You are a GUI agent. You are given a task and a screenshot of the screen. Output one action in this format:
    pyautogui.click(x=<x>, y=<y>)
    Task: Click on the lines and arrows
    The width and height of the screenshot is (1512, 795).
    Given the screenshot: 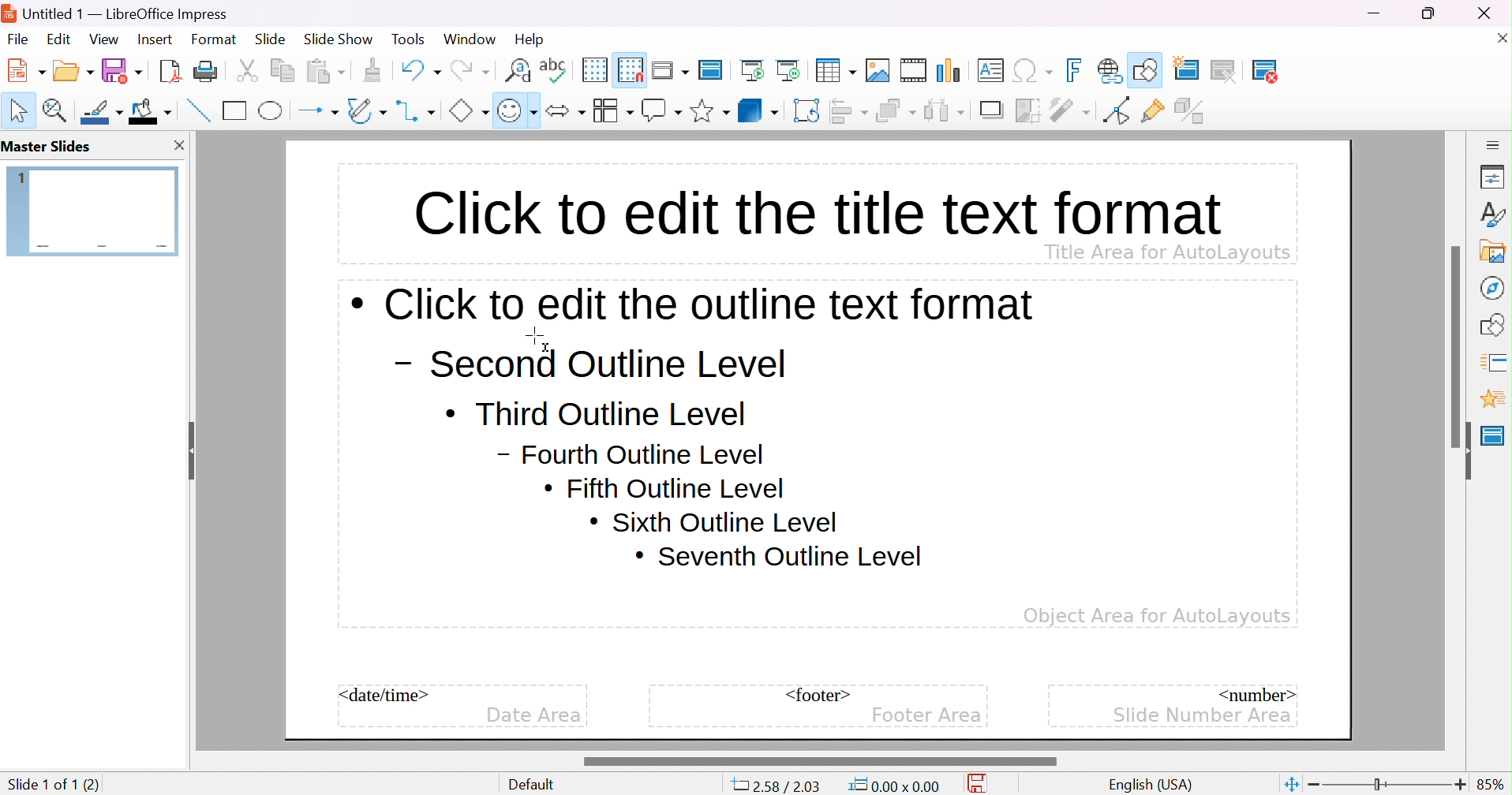 What is the action you would take?
    pyautogui.click(x=318, y=111)
    